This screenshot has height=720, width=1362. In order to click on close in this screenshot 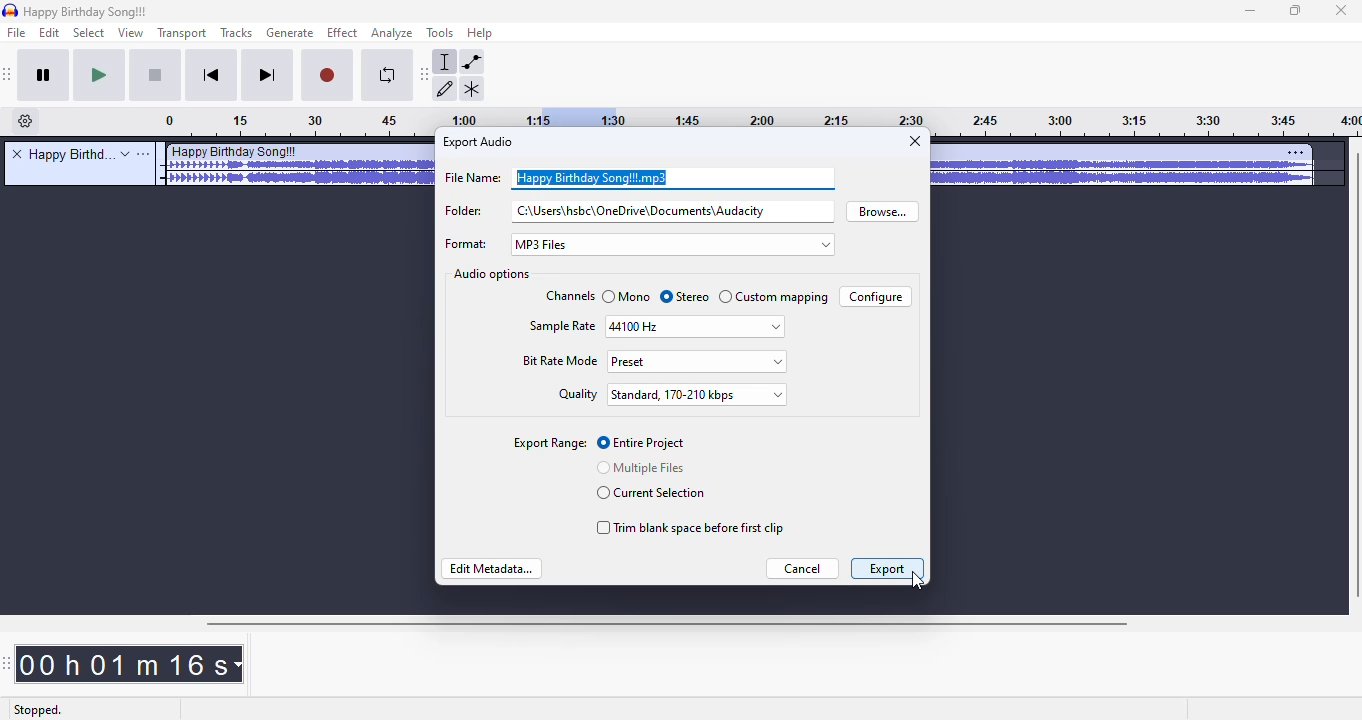, I will do `click(1341, 11)`.